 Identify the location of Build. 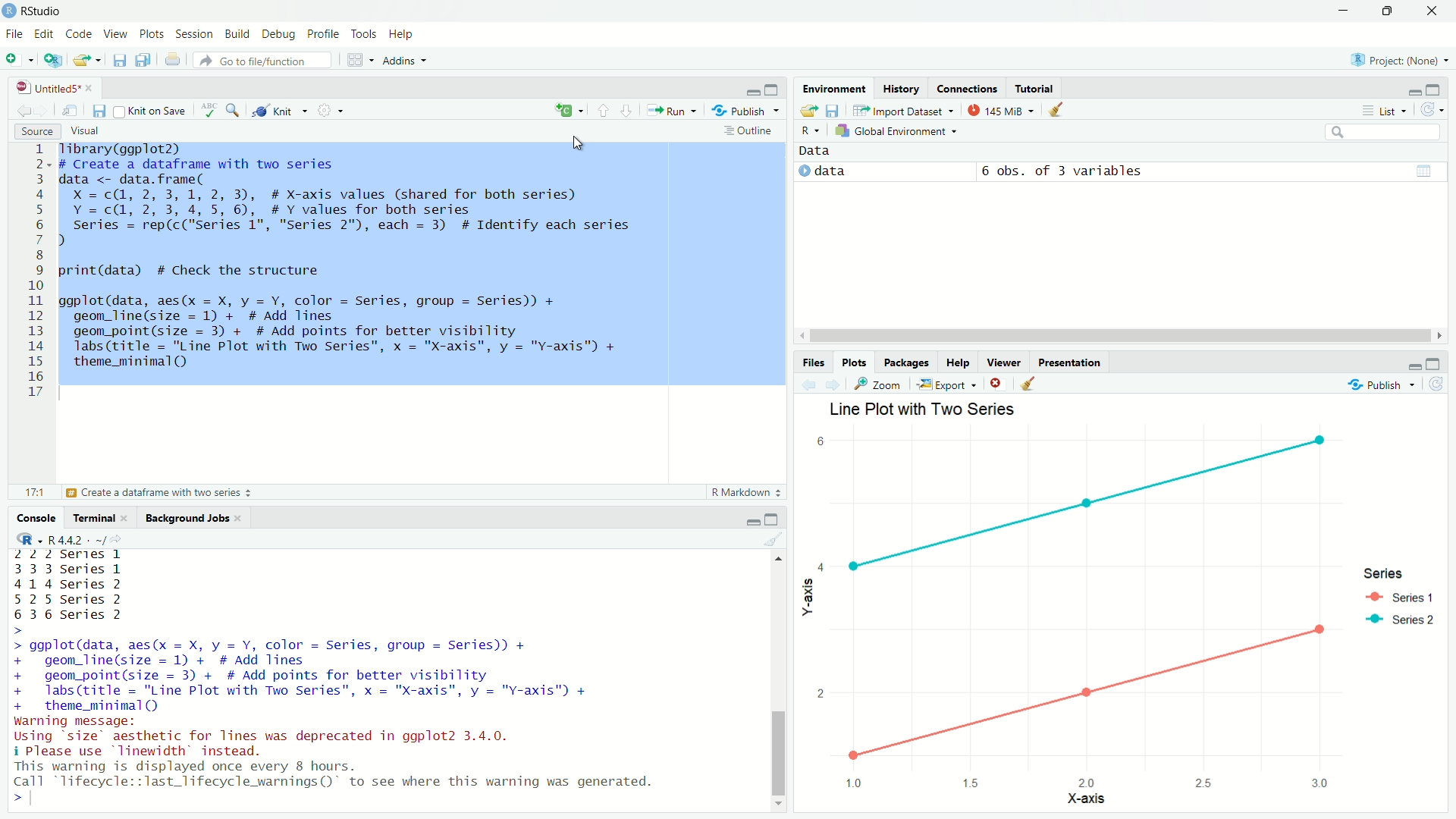
(237, 36).